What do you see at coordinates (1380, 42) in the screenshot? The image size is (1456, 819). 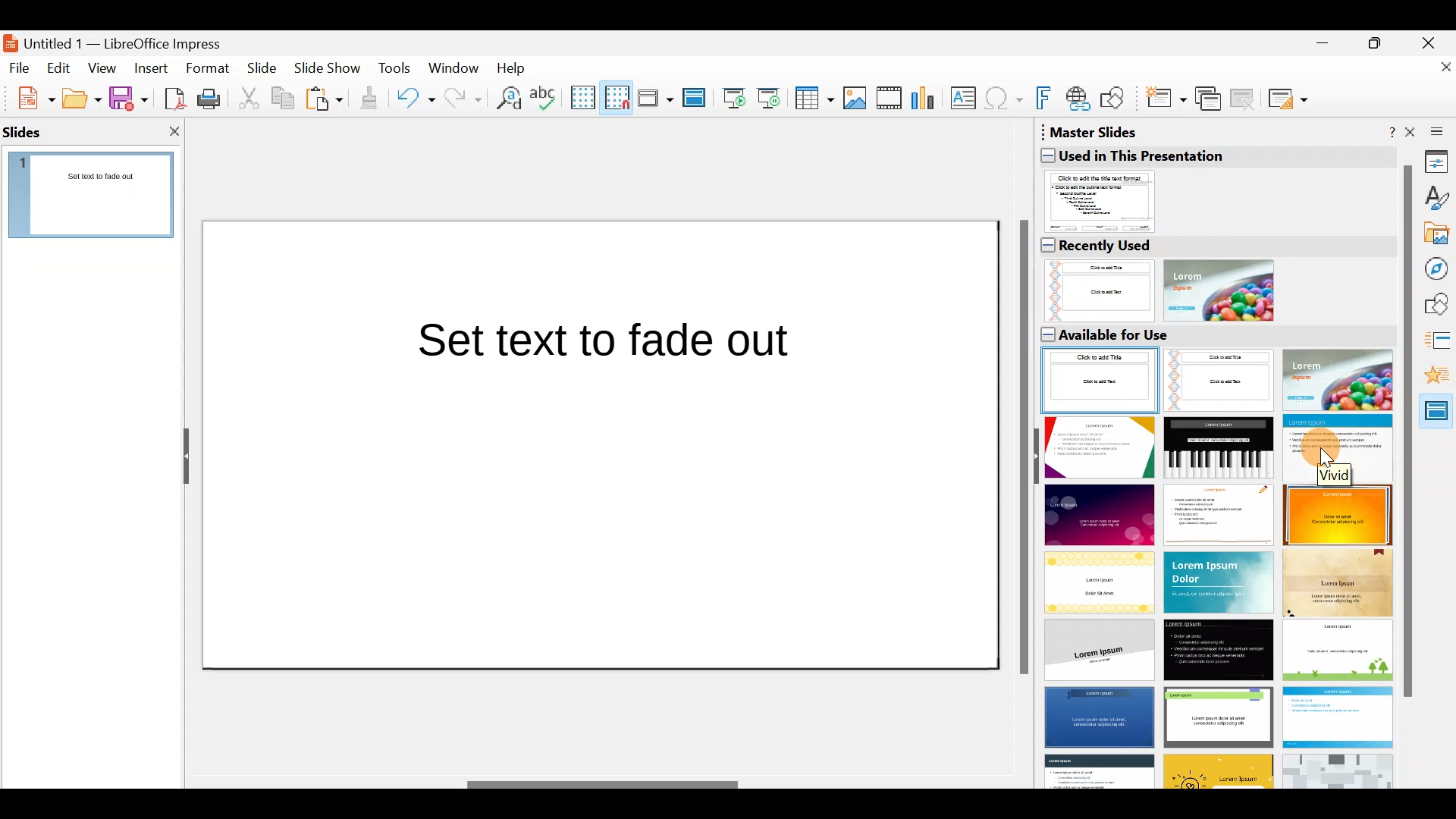 I see `Maximise` at bounding box center [1380, 42].